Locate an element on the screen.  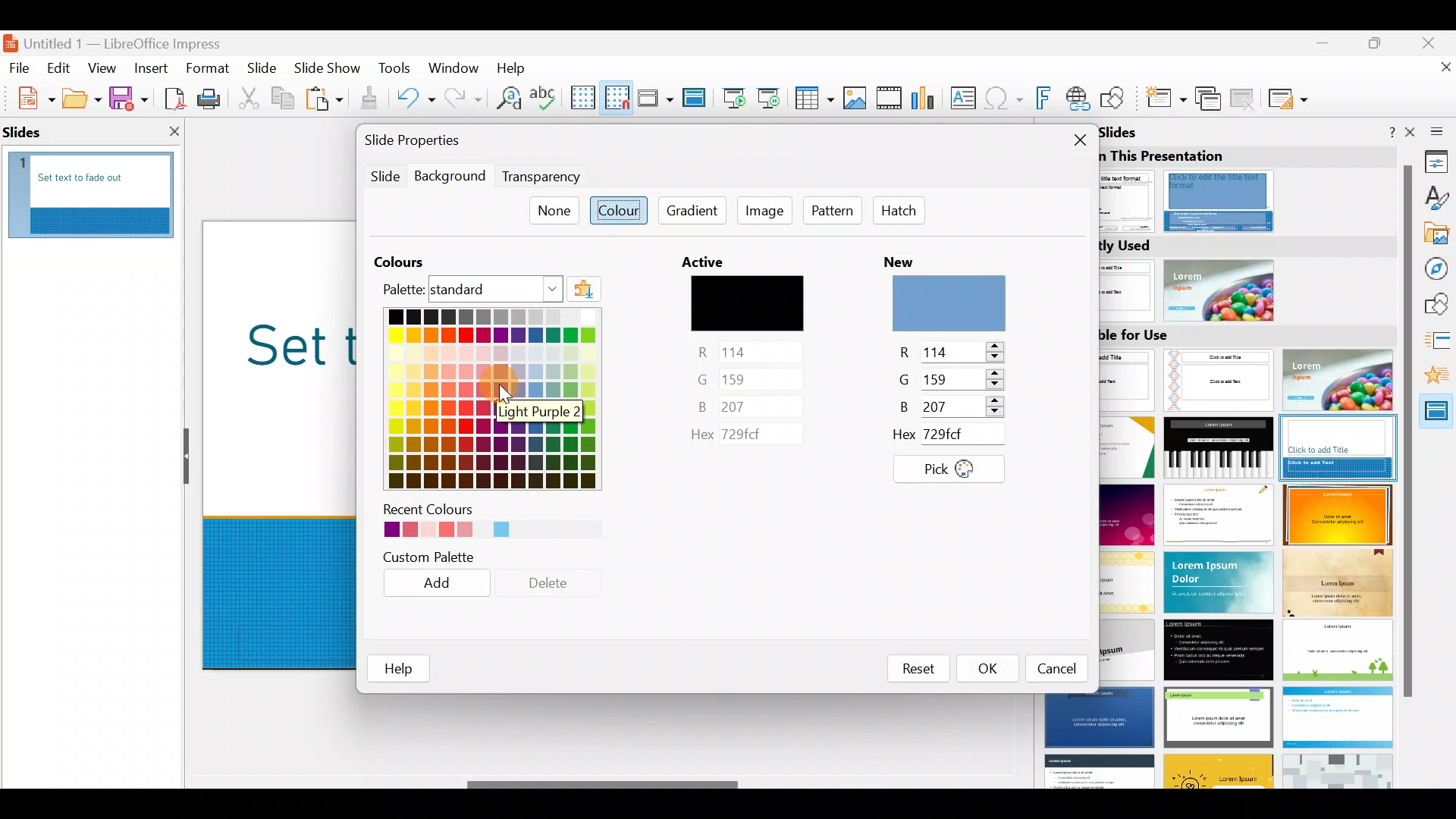
Slide properties is located at coordinates (438, 142).